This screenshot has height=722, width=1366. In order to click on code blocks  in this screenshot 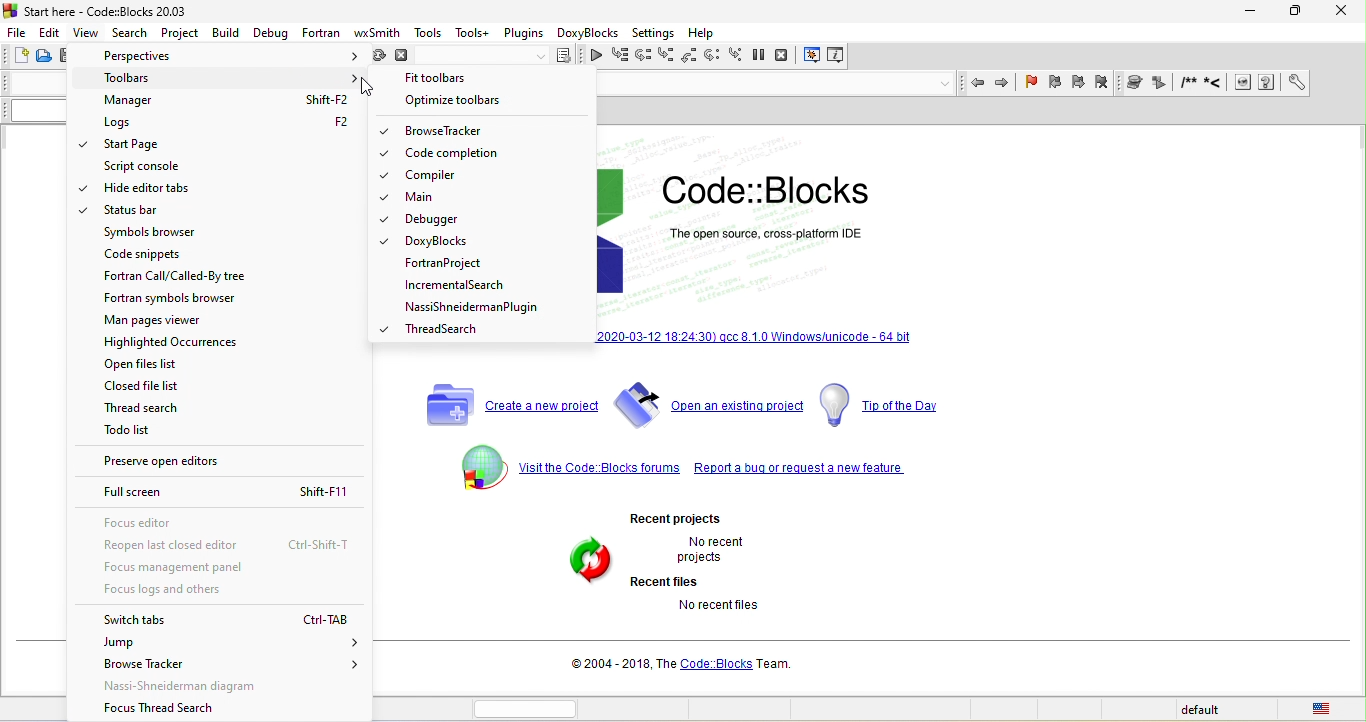, I will do `click(791, 188)`.